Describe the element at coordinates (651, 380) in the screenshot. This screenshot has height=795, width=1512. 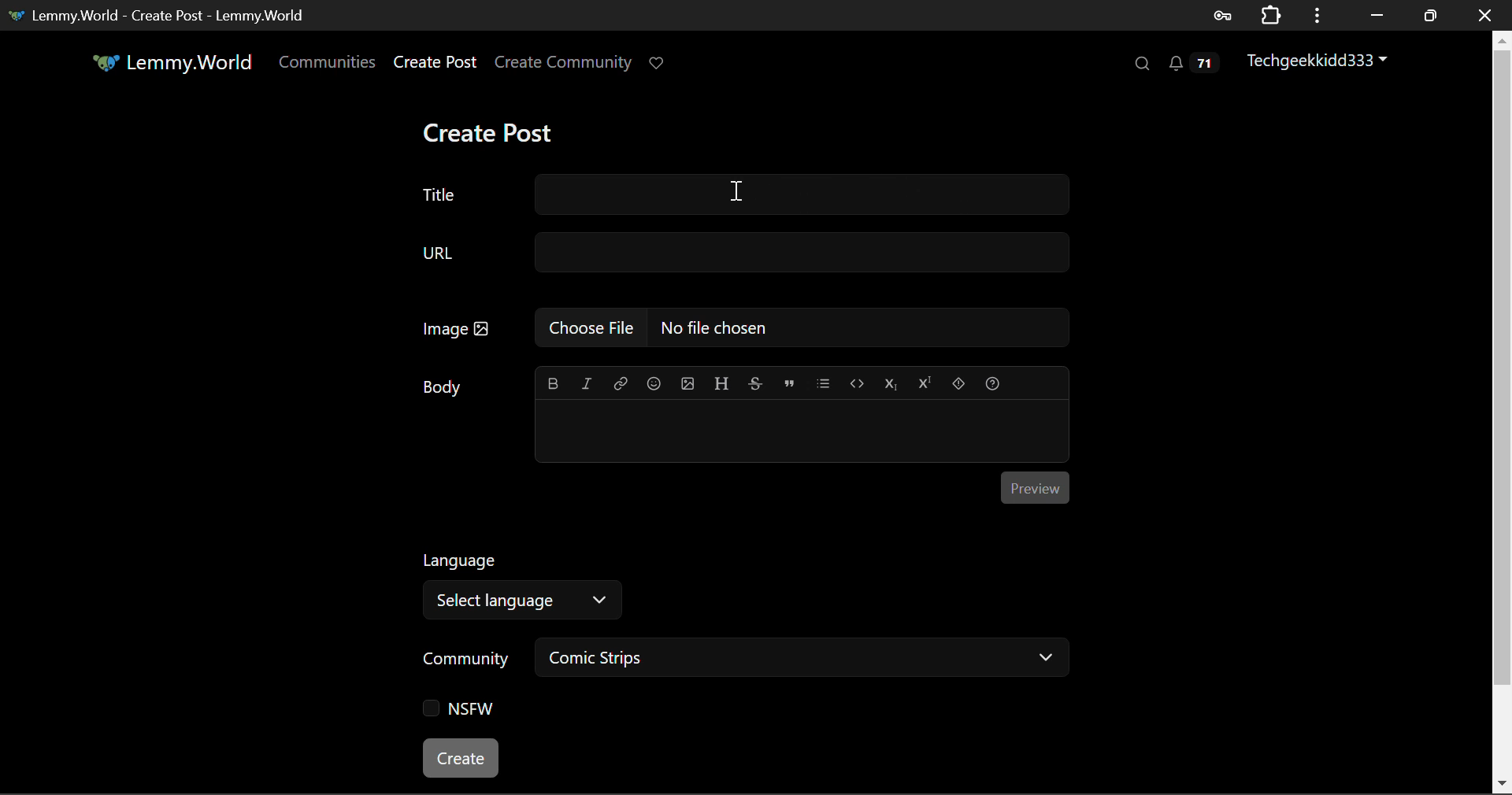
I see `emoji` at that location.